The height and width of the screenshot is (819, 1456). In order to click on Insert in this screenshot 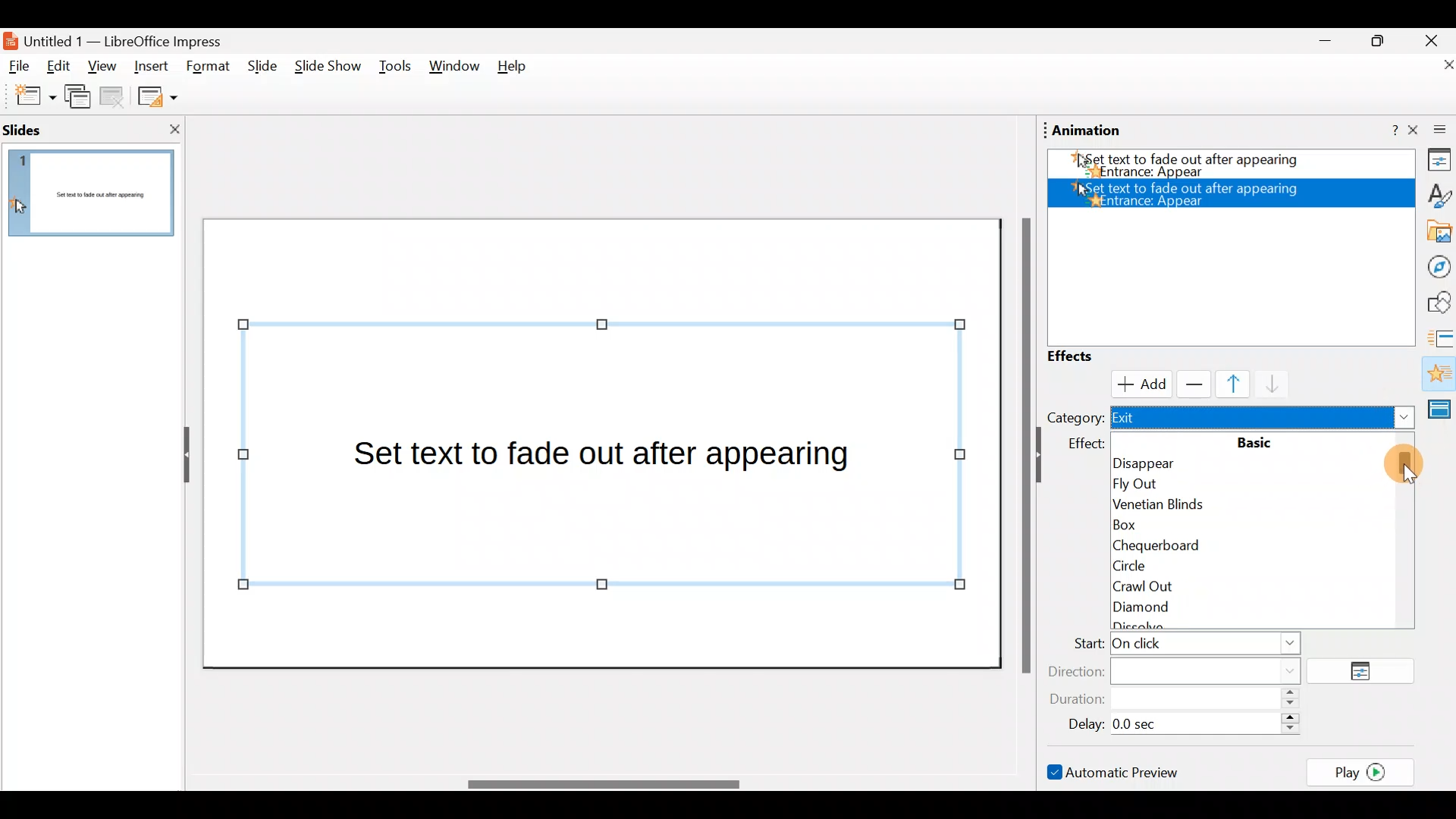, I will do `click(151, 64)`.